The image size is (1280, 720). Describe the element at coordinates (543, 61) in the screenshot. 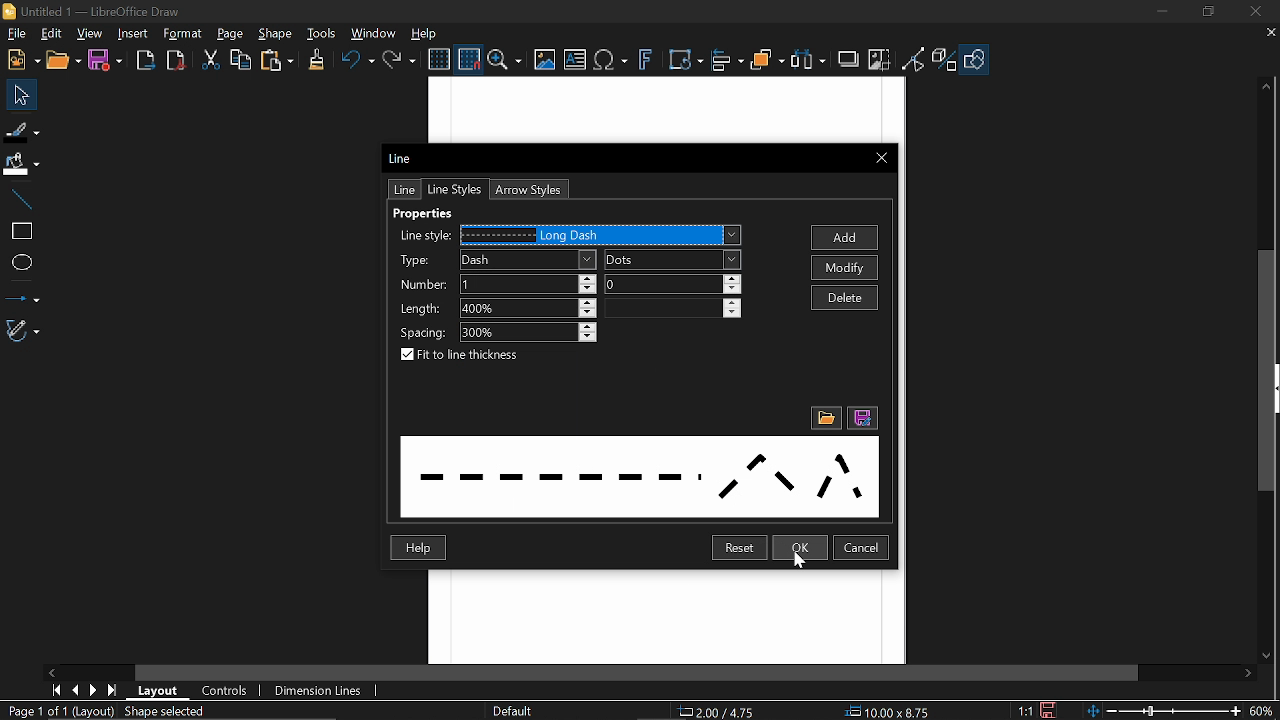

I see `Insert image` at that location.